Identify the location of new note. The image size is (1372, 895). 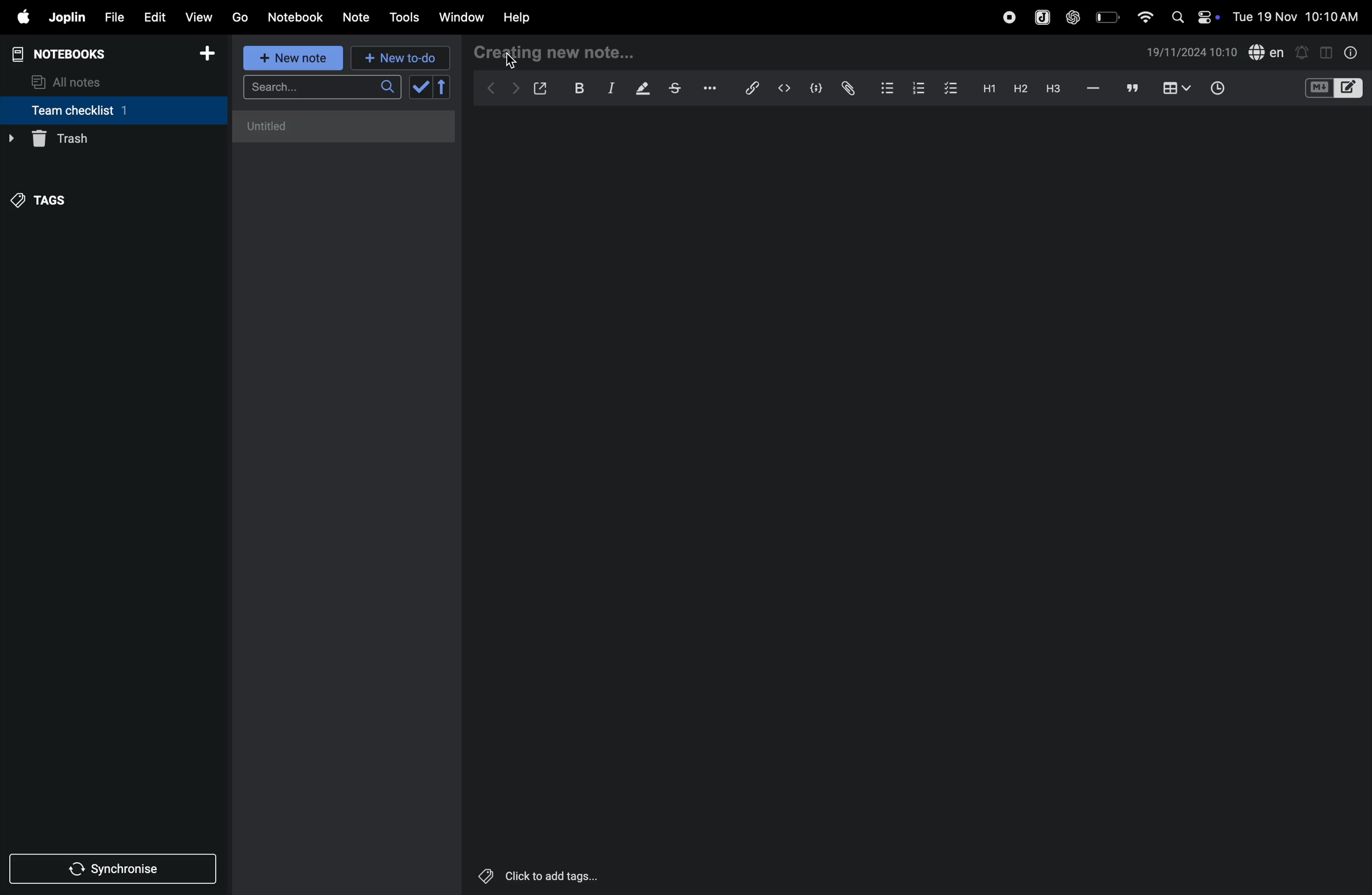
(295, 59).